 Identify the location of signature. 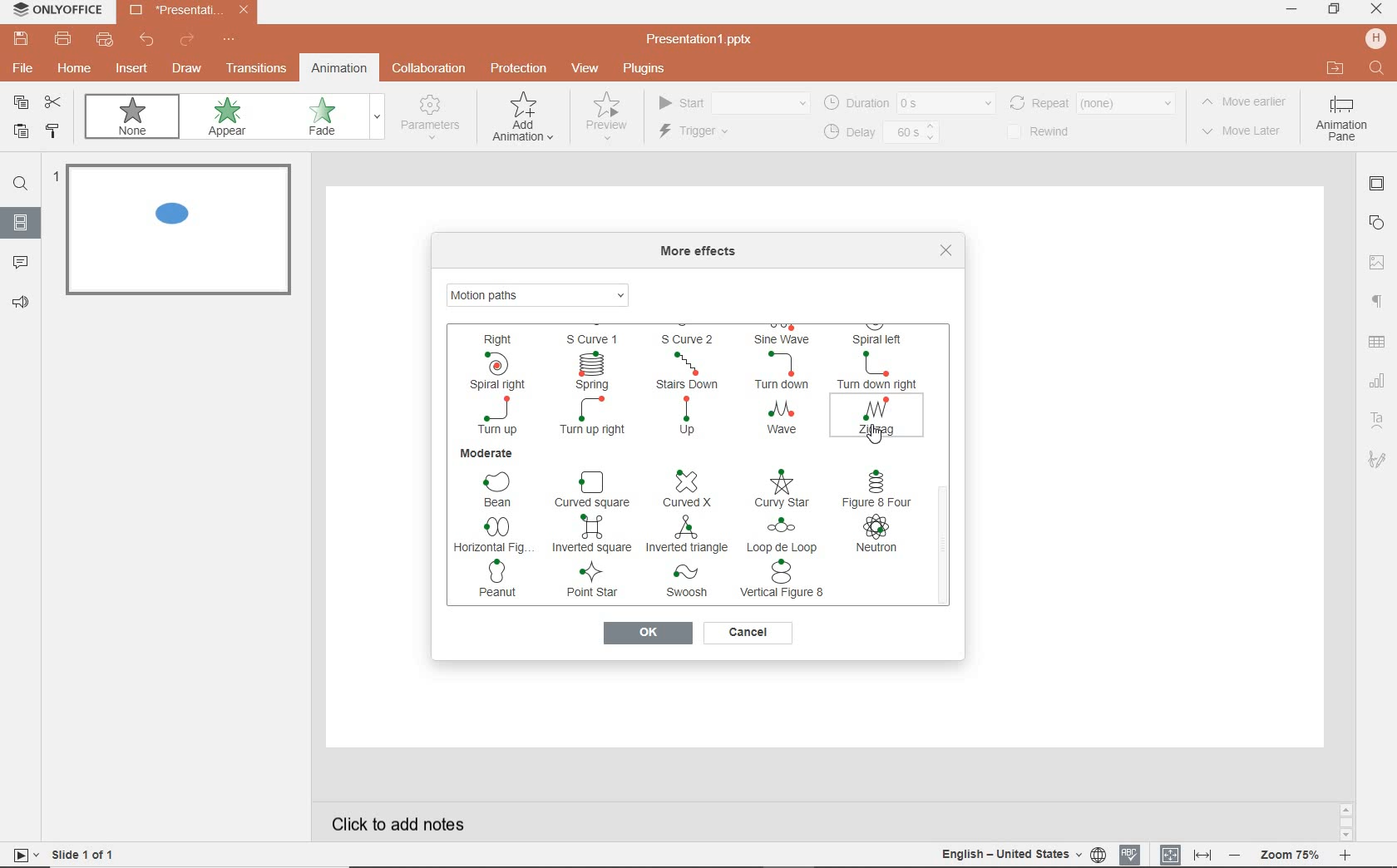
(1377, 461).